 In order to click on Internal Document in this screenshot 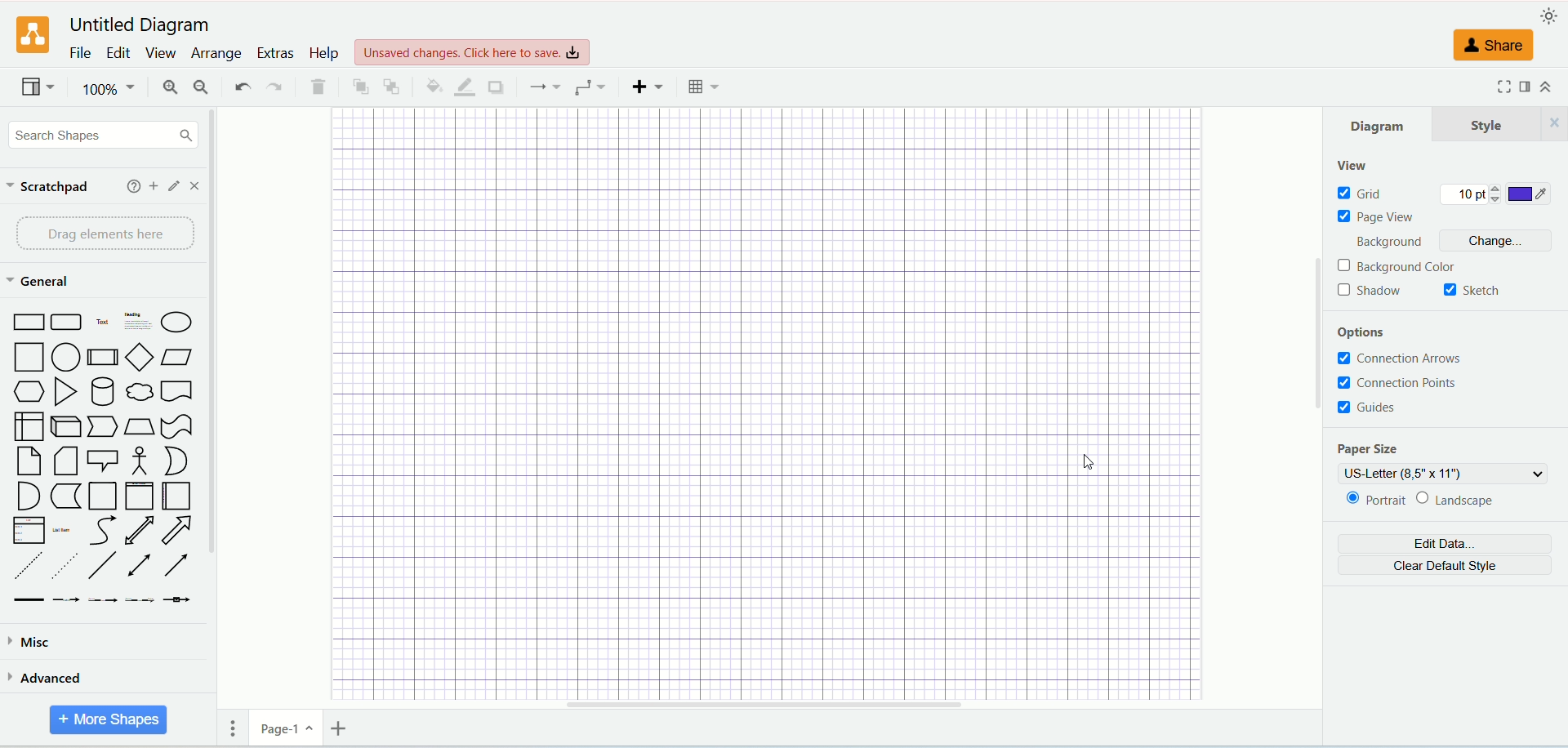, I will do `click(29, 427)`.